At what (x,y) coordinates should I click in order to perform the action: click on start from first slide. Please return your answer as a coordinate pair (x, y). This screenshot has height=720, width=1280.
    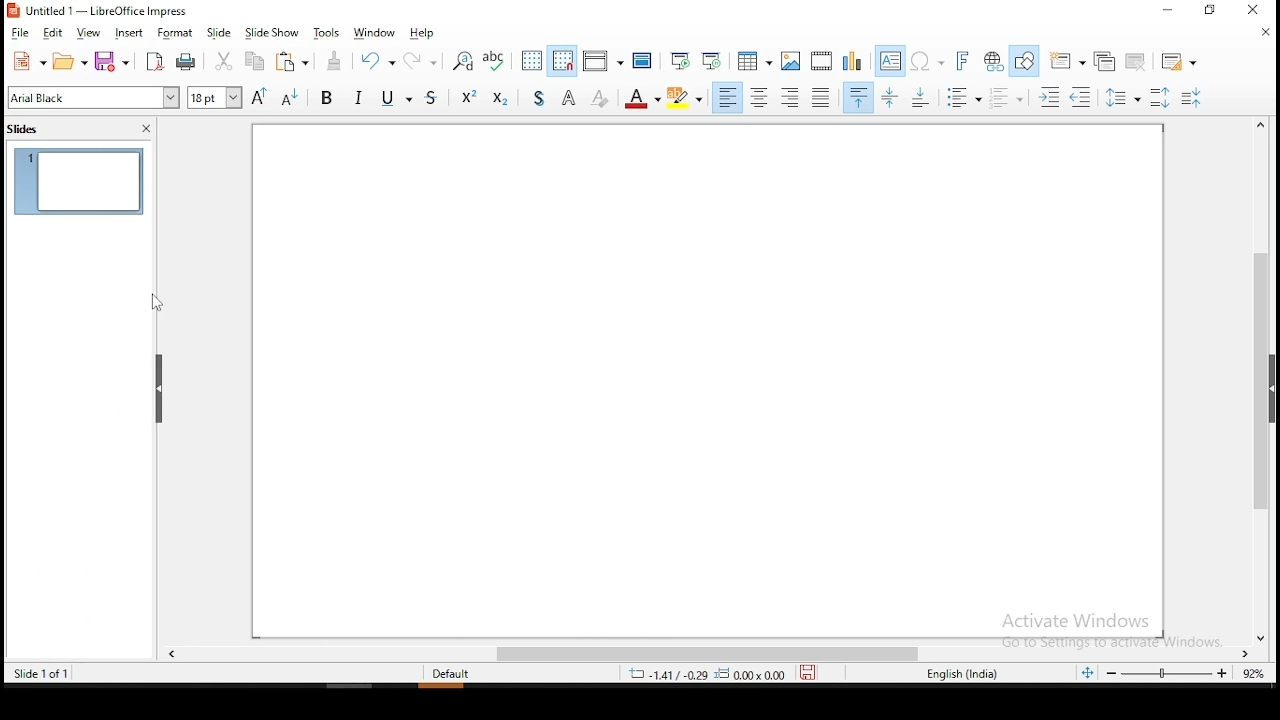
    Looking at the image, I should click on (683, 61).